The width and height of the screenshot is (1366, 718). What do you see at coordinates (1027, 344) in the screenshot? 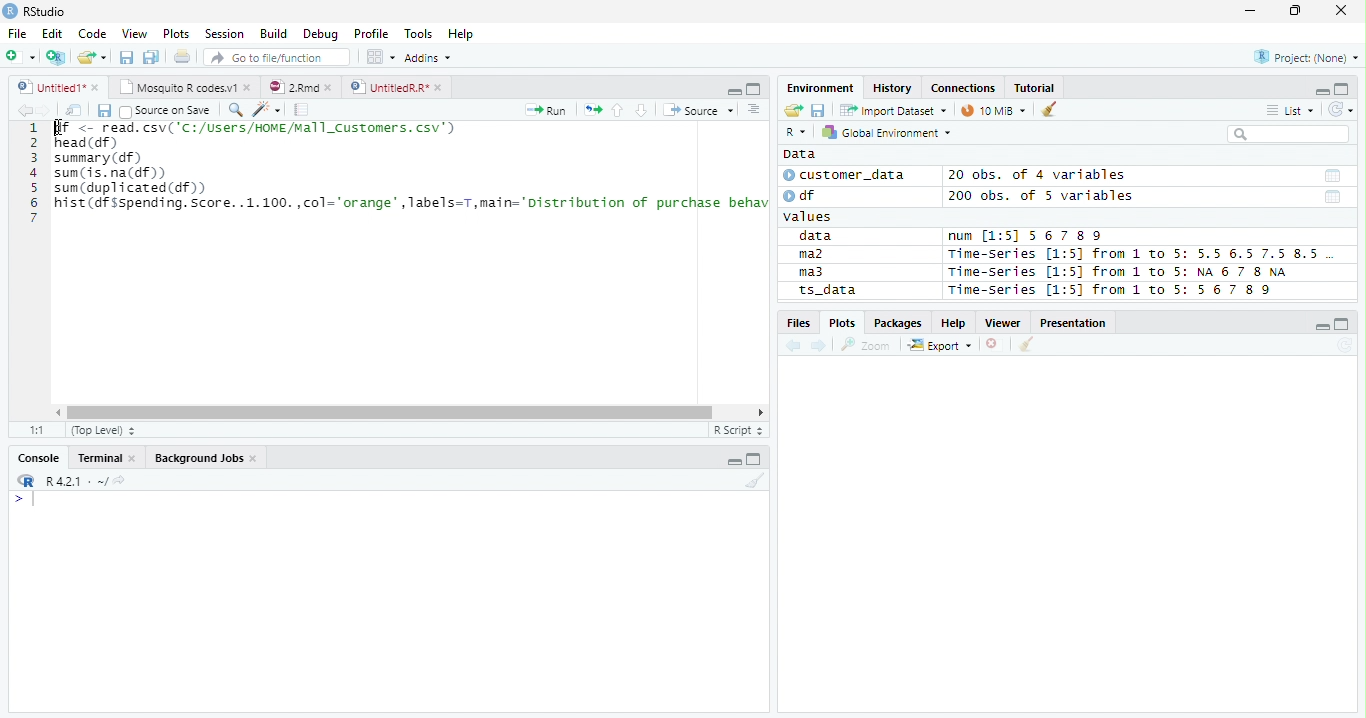
I see `Clean` at bounding box center [1027, 344].